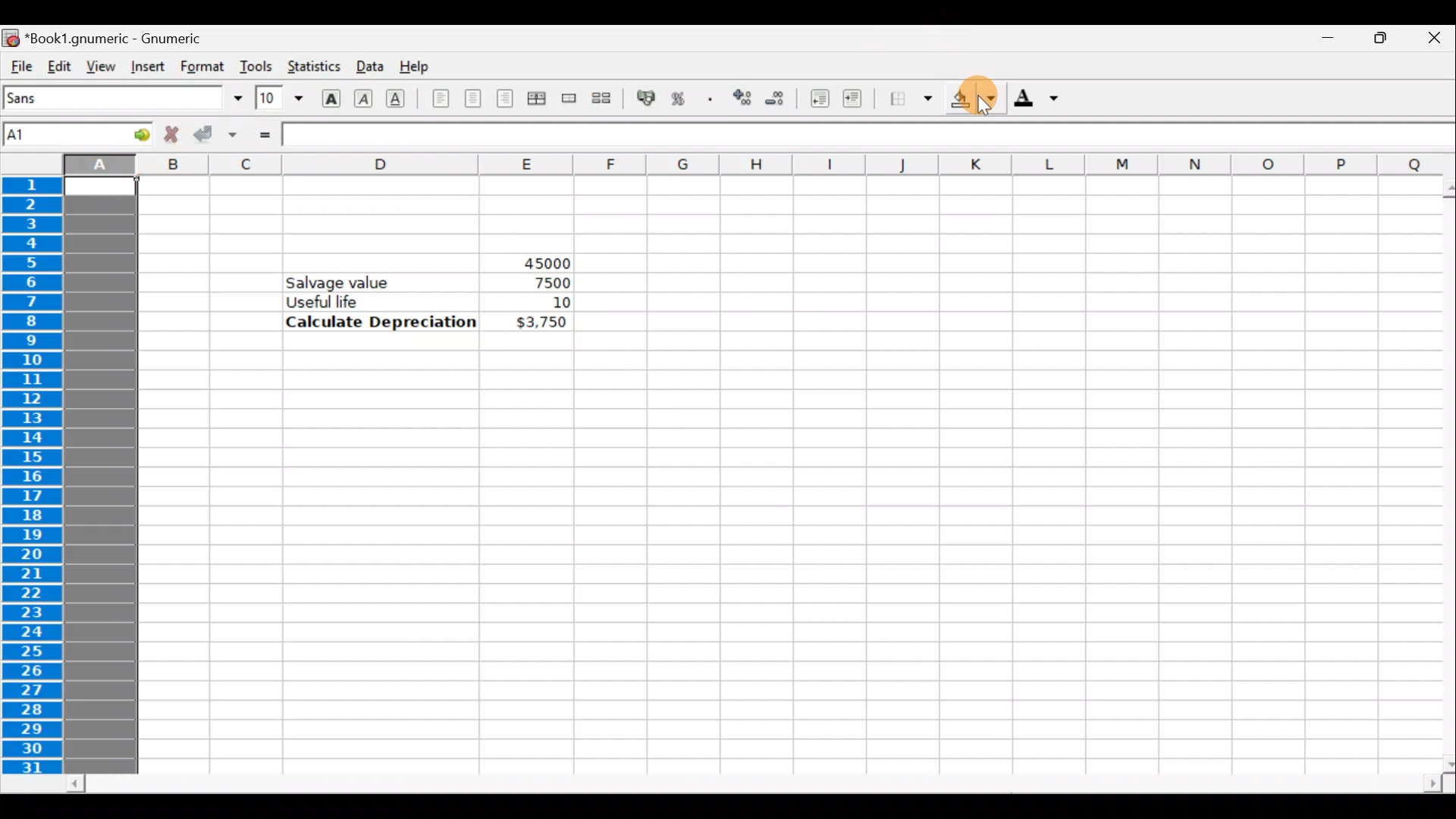  I want to click on Format the selection as percentage, so click(681, 101).